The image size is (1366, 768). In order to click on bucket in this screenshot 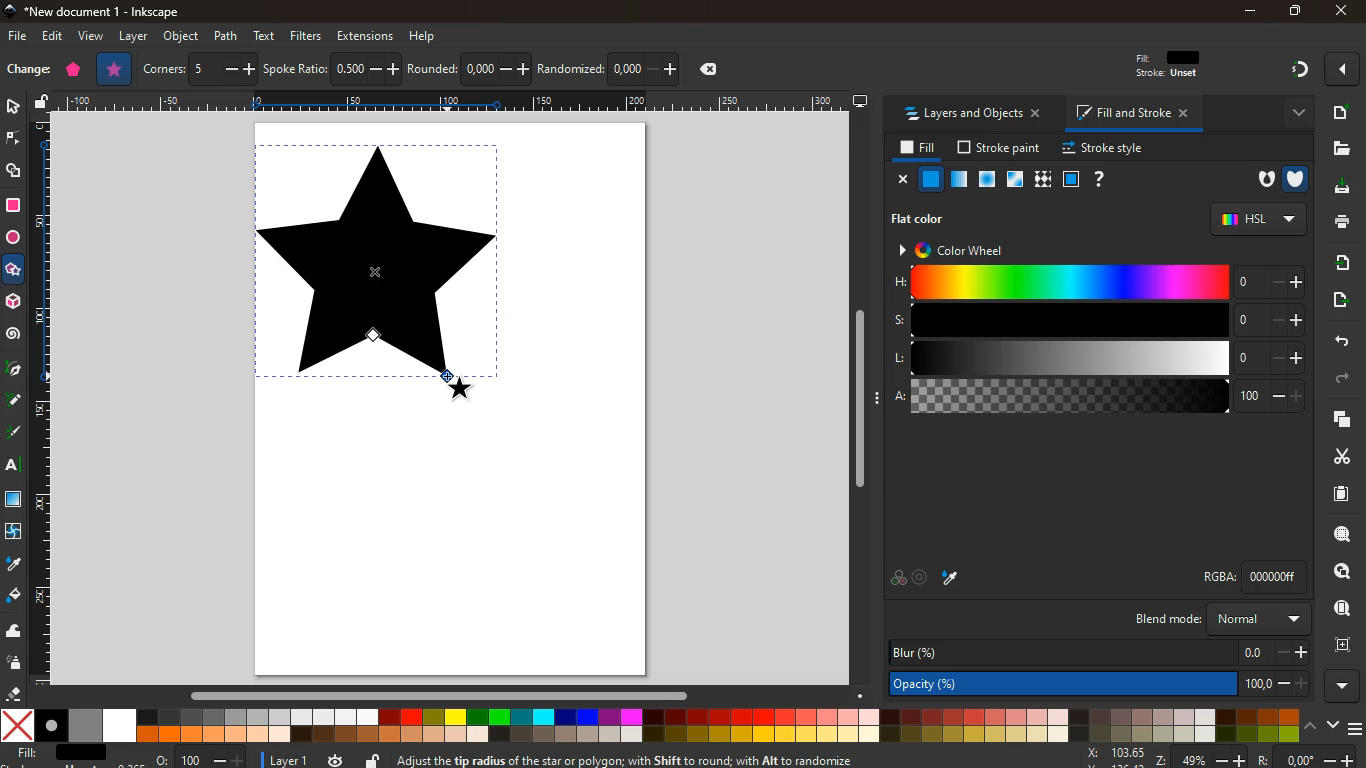, I will do `click(13, 596)`.